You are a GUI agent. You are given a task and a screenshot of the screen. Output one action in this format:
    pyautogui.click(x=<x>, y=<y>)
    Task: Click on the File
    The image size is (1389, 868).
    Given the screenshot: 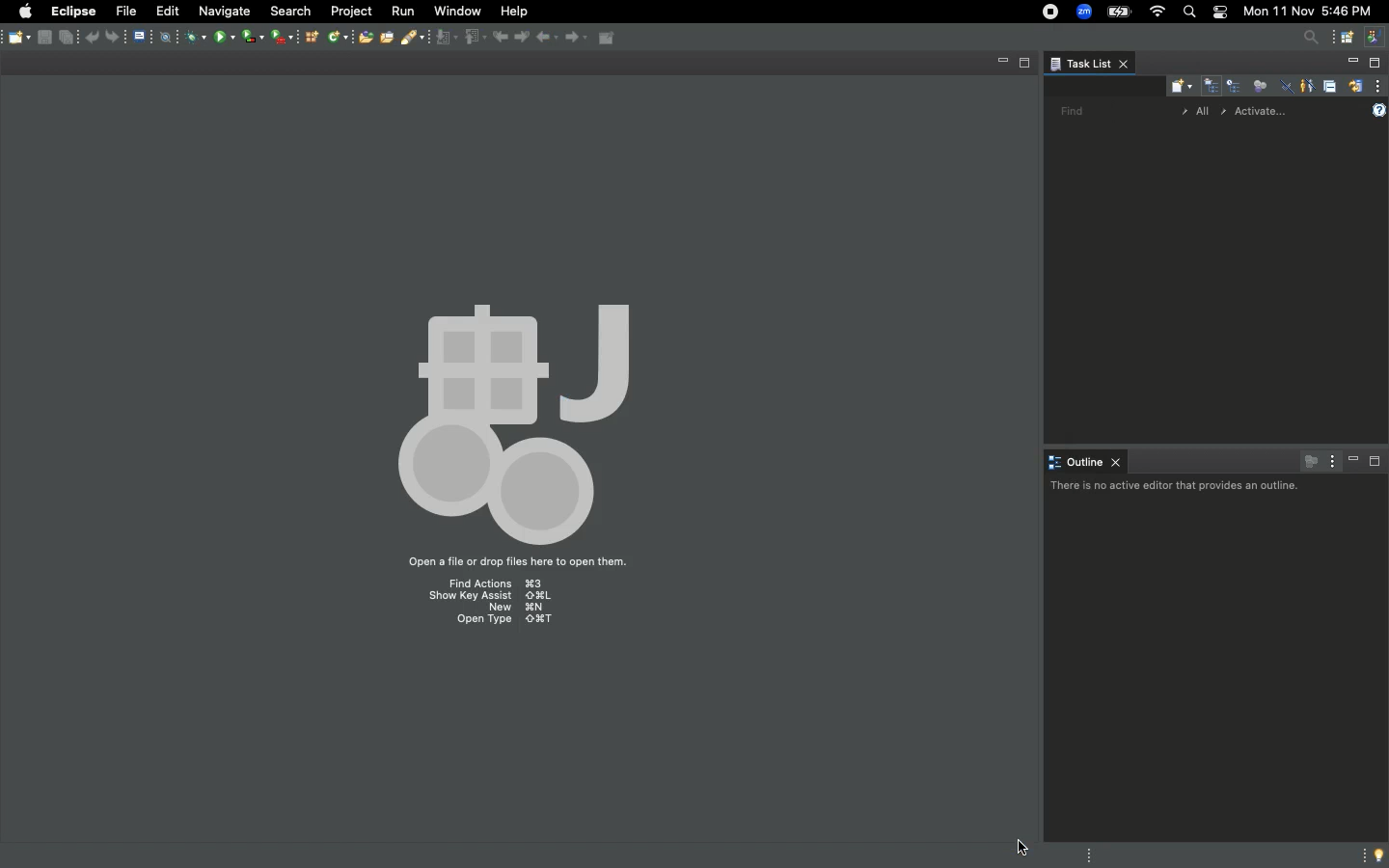 What is the action you would take?
    pyautogui.click(x=124, y=12)
    